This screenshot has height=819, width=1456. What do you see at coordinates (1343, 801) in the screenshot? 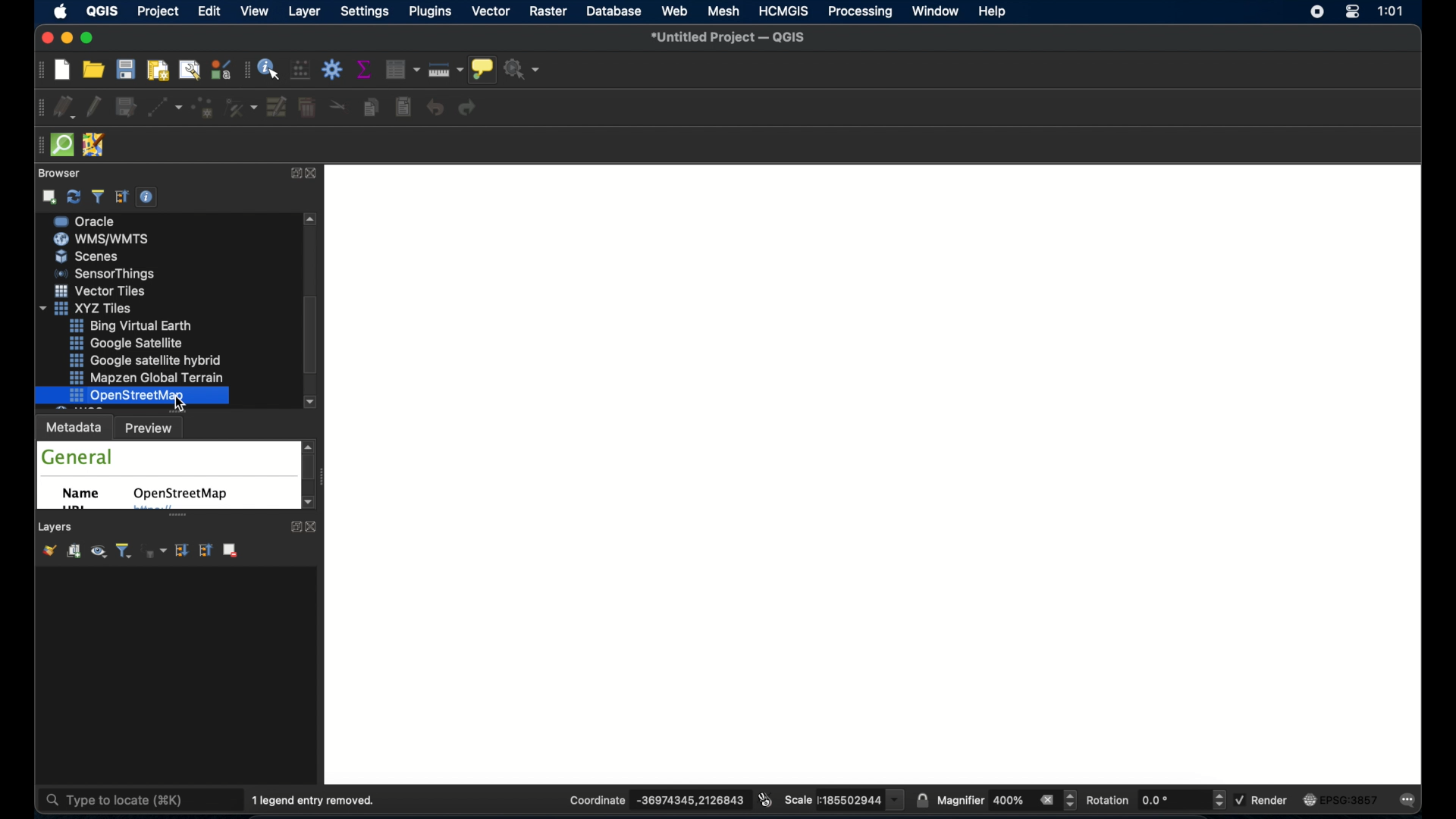
I see `current crs` at bounding box center [1343, 801].